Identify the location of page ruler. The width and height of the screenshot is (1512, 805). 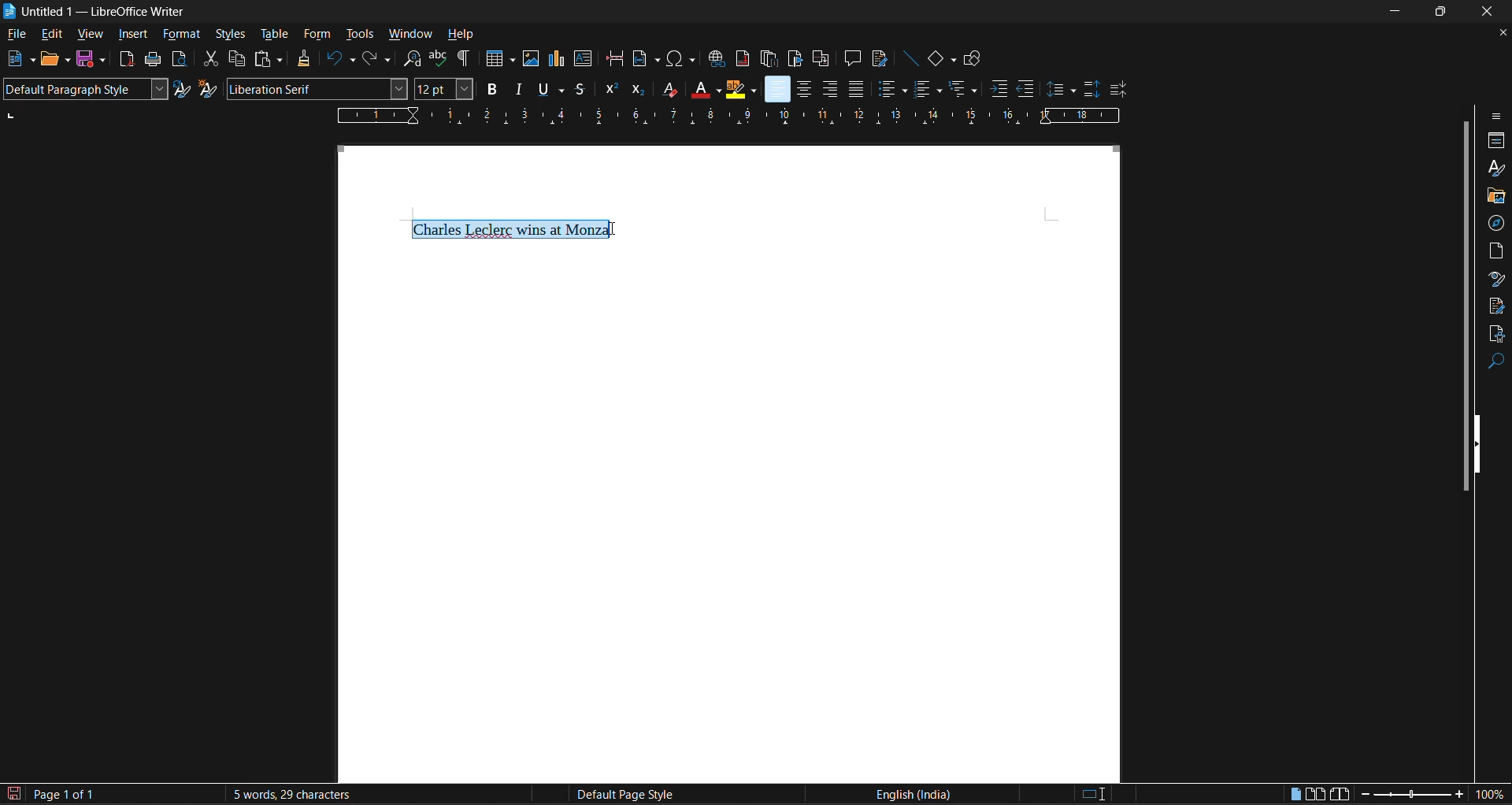
(727, 115).